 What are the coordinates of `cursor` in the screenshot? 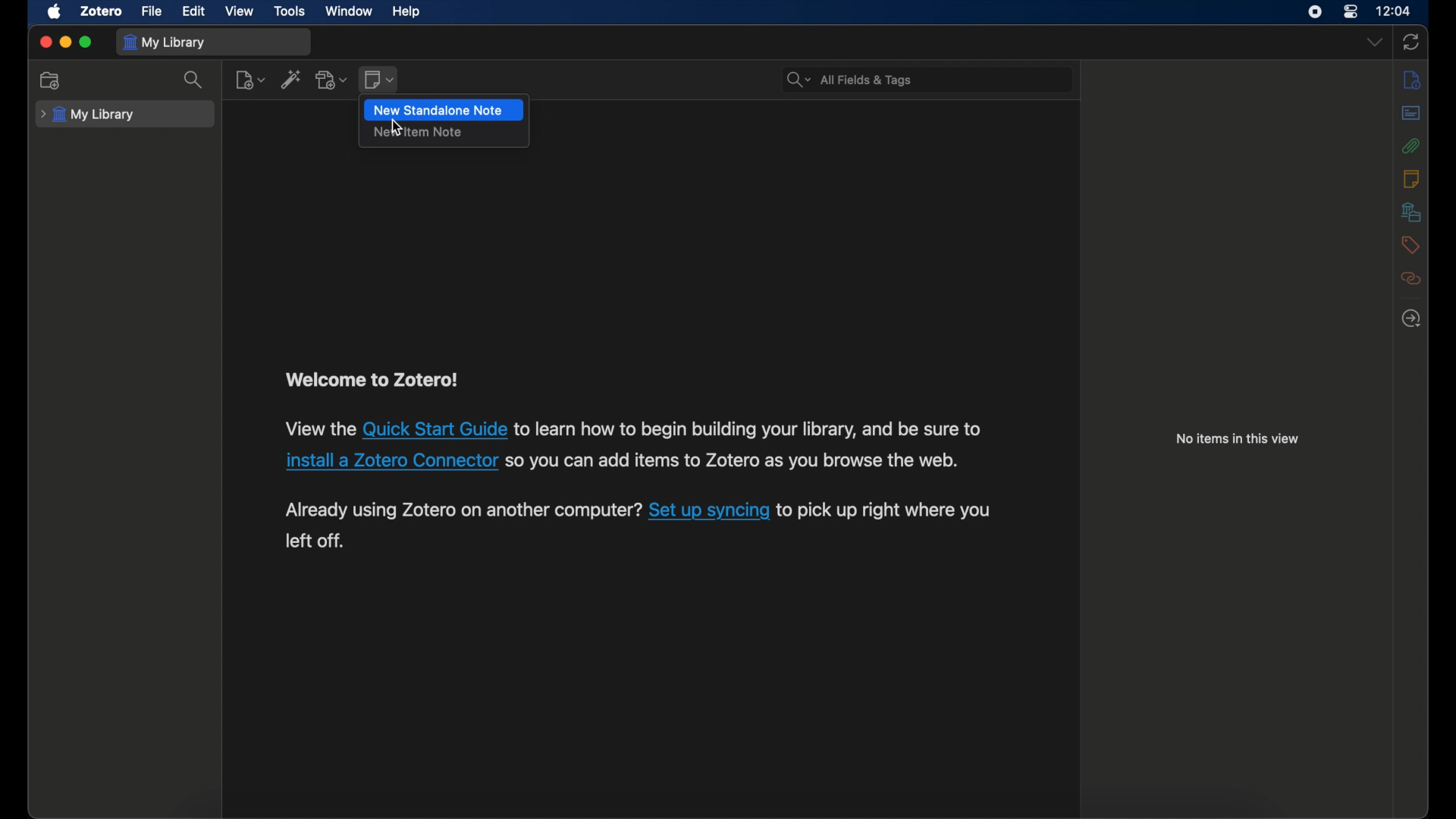 It's located at (397, 127).